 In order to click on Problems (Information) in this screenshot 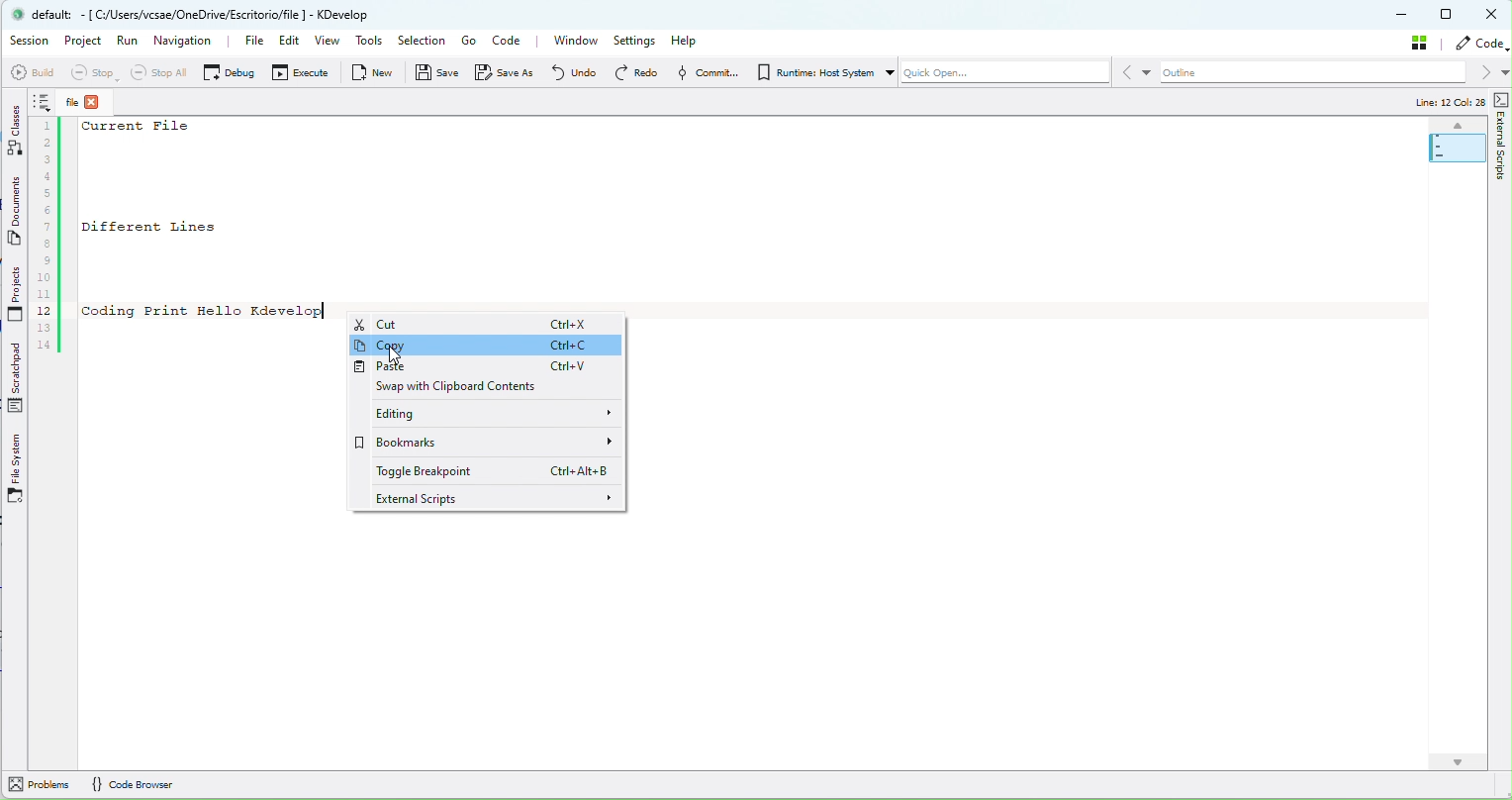, I will do `click(42, 788)`.